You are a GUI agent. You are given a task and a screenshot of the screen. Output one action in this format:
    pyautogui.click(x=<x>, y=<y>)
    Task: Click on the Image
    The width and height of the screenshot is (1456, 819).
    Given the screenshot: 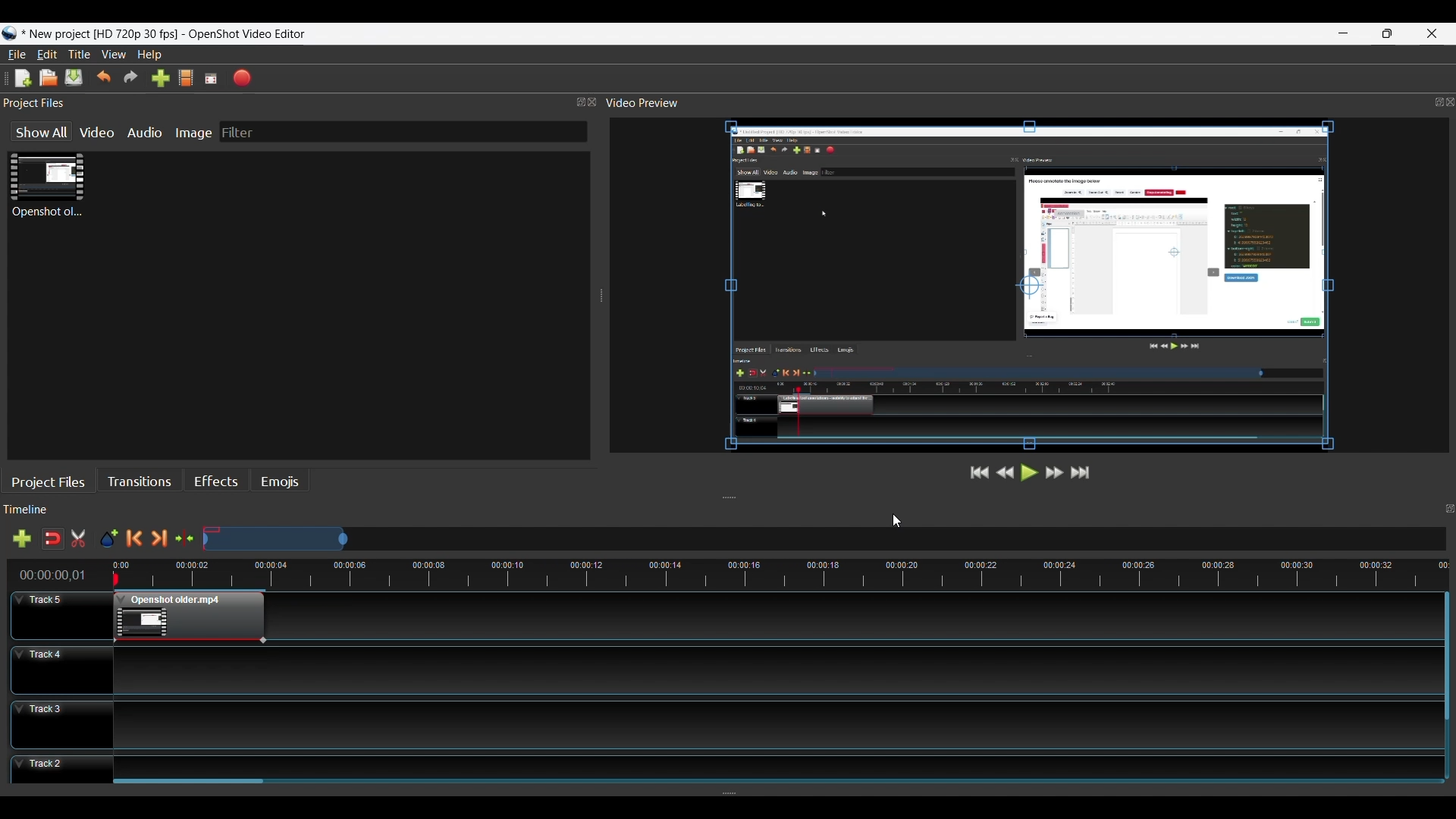 What is the action you would take?
    pyautogui.click(x=193, y=133)
    